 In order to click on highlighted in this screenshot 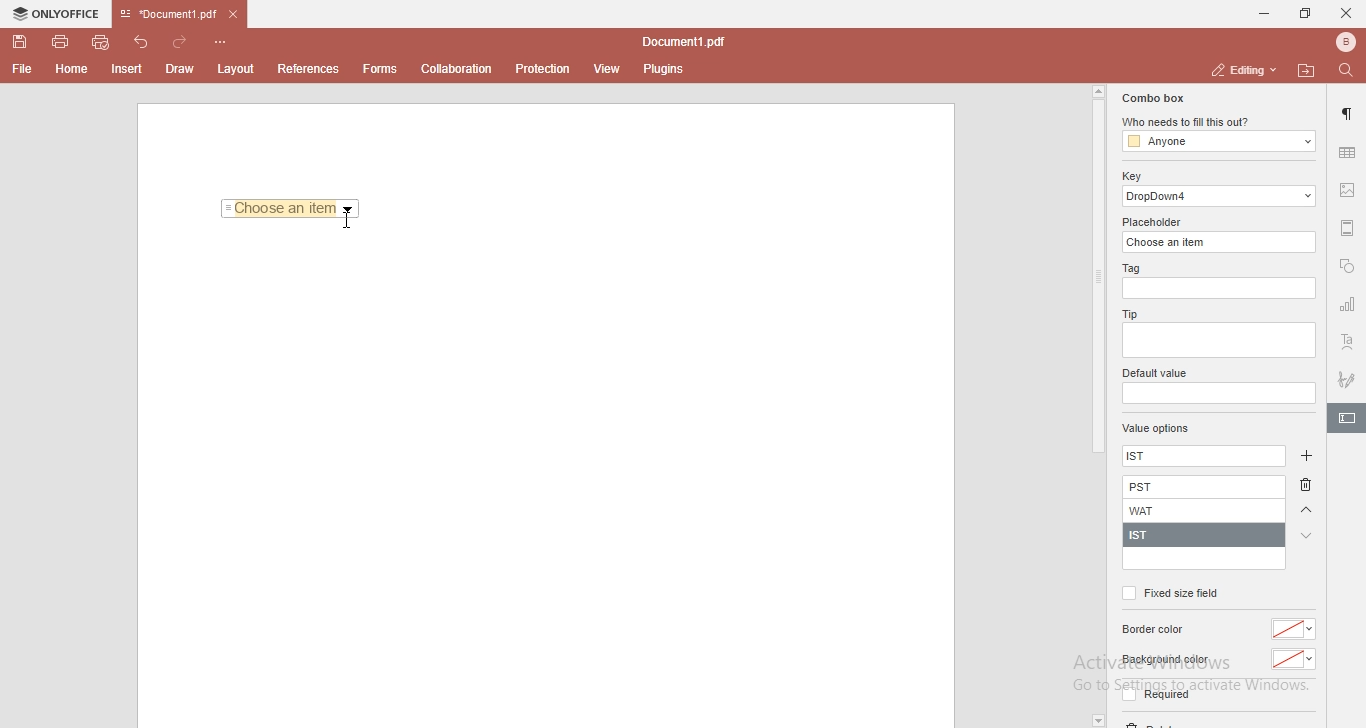, I will do `click(1346, 420)`.